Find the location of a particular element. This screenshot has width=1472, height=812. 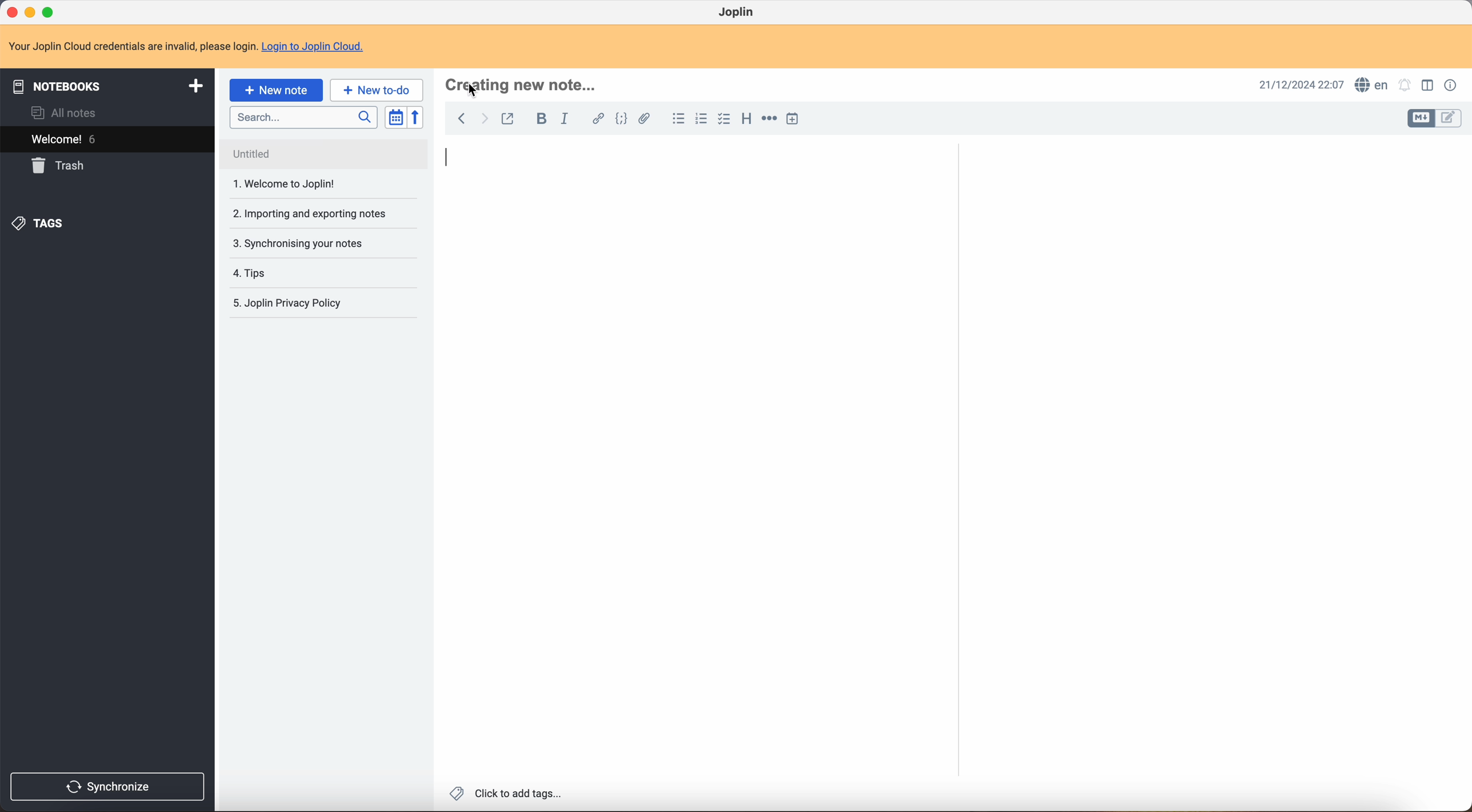

scroll bar is located at coordinates (956, 345).